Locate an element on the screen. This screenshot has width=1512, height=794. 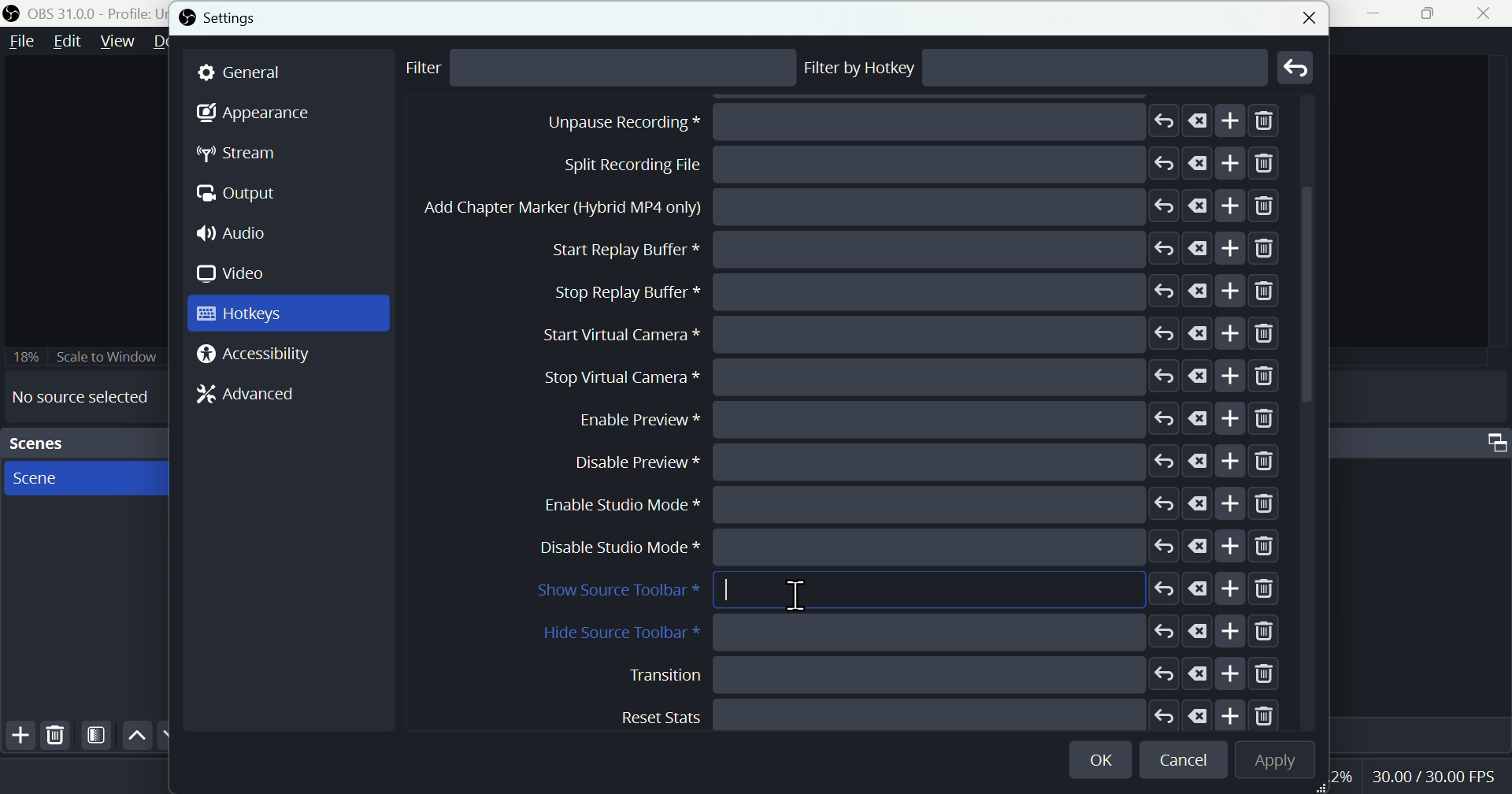
up is located at coordinates (136, 736).